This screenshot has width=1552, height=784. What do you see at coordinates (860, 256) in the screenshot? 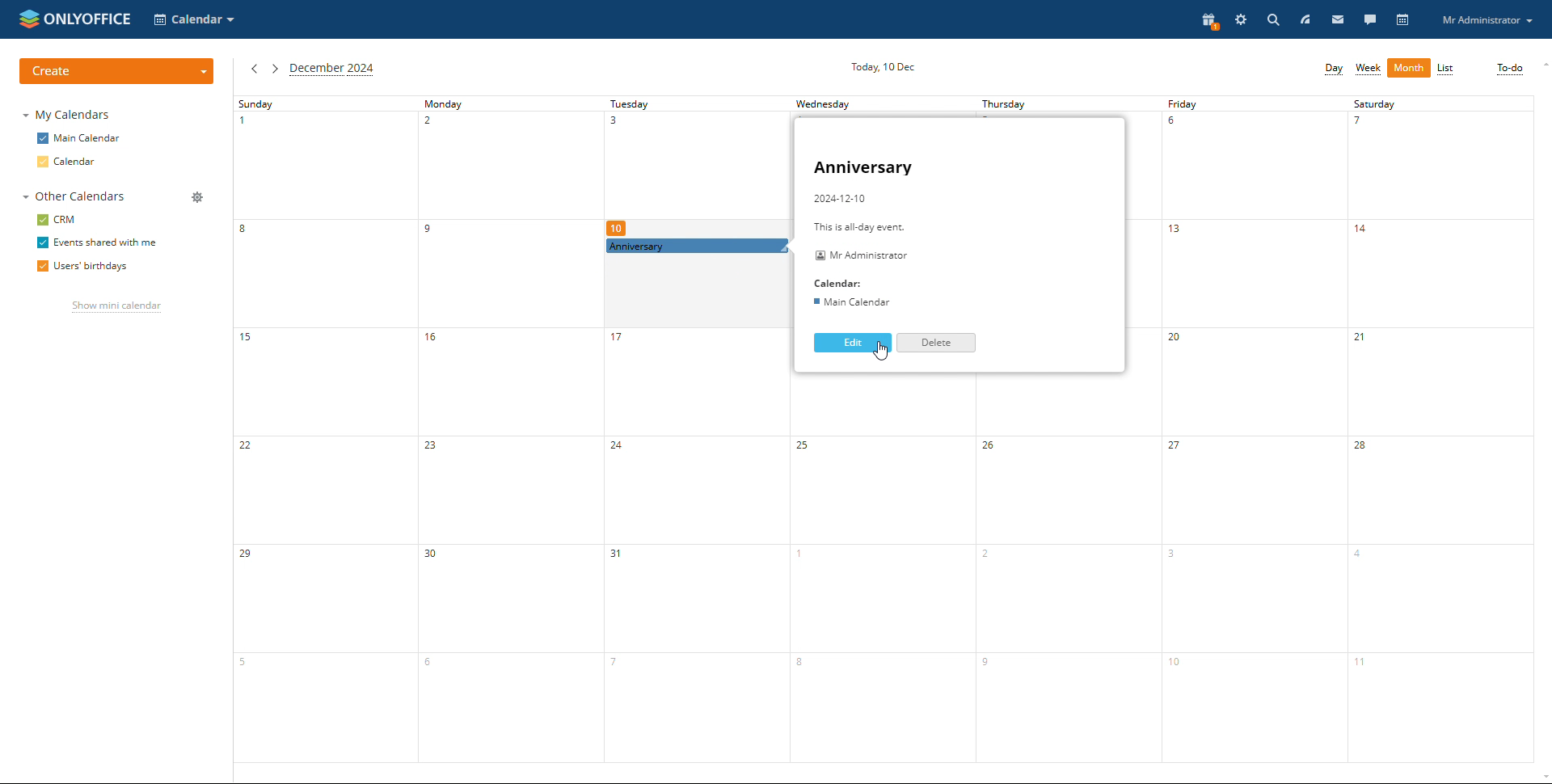
I see `Mr Administrator` at bounding box center [860, 256].